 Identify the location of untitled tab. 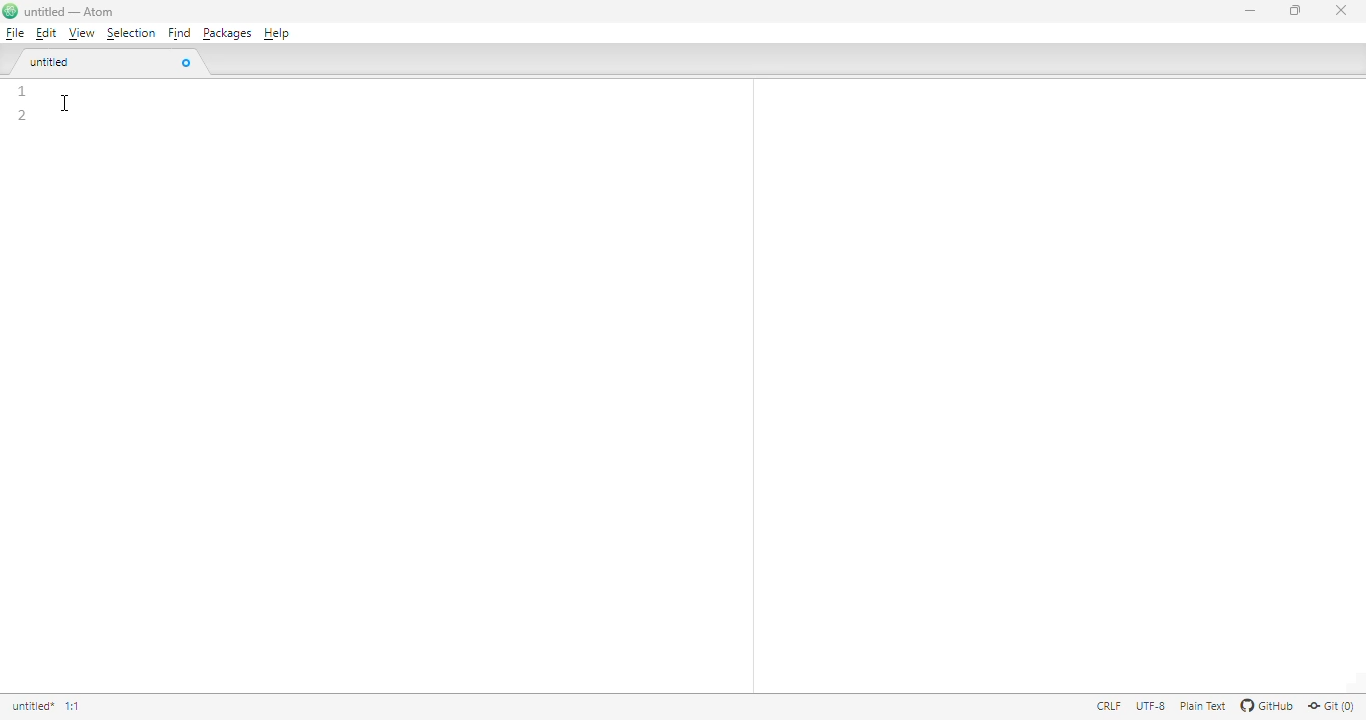
(98, 61).